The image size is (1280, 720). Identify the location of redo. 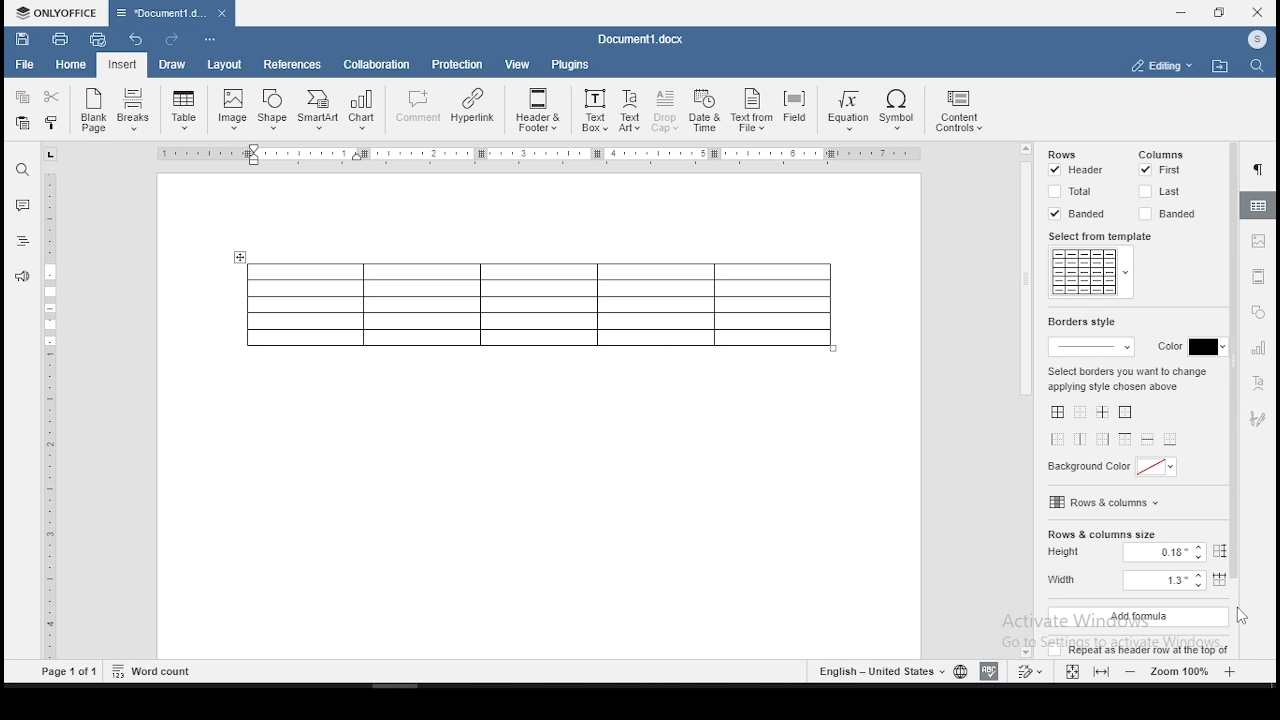
(170, 39).